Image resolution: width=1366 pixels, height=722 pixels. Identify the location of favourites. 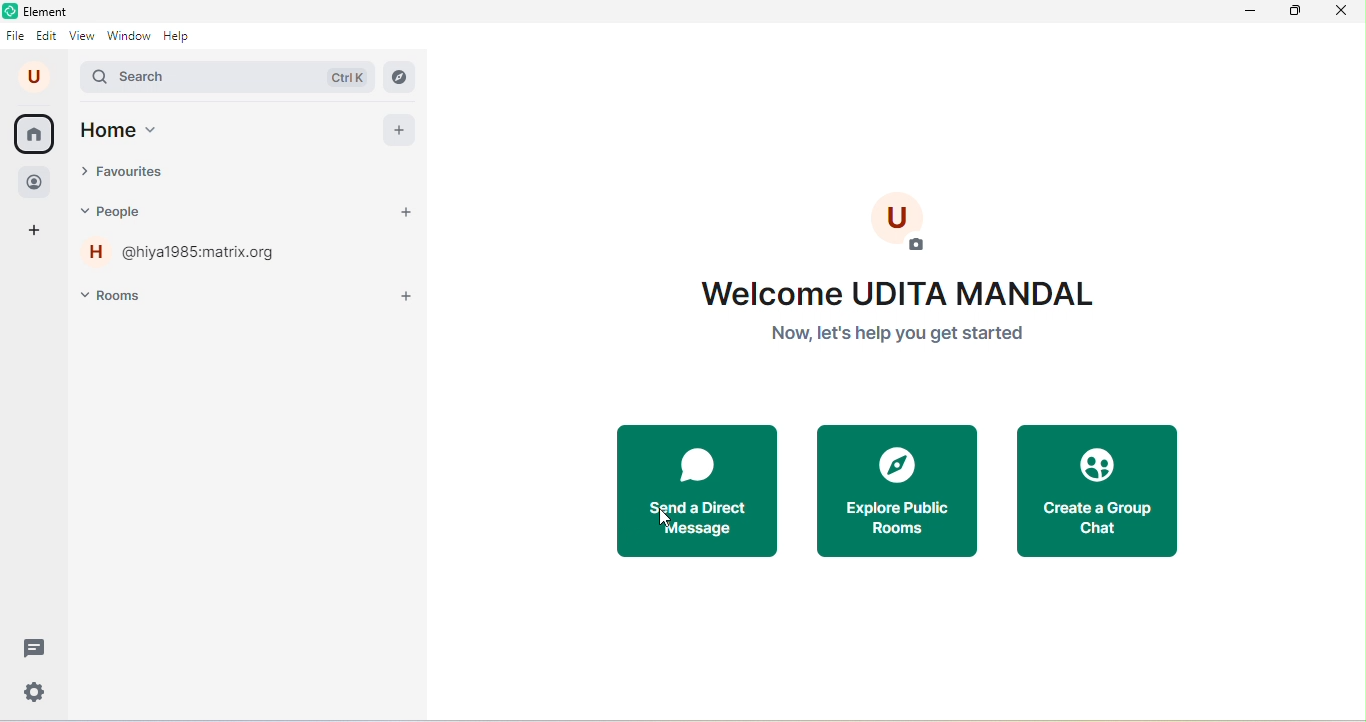
(140, 174).